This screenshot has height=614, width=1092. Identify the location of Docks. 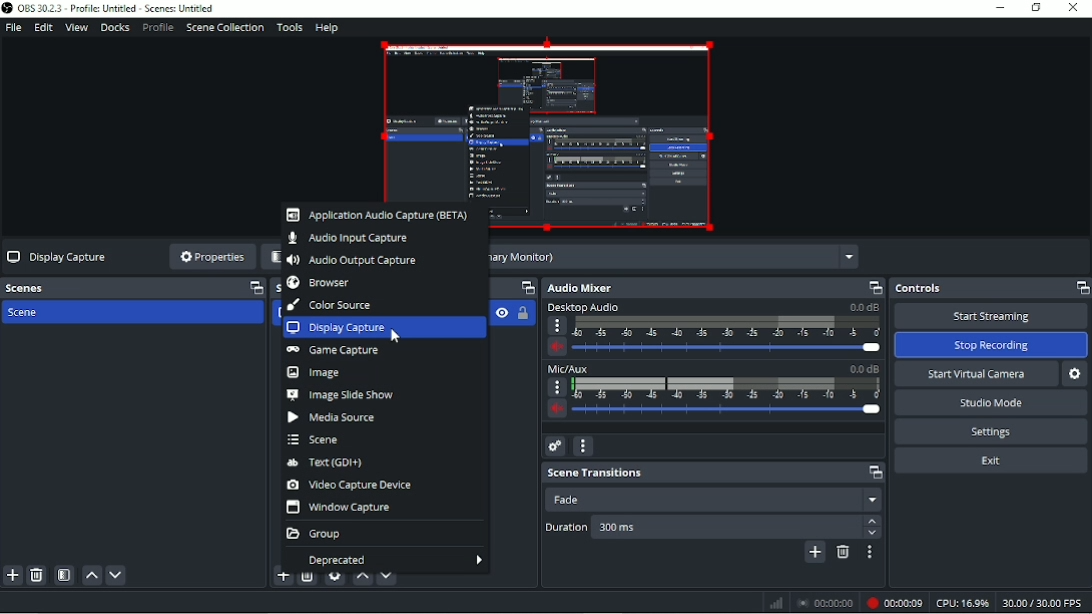
(114, 28).